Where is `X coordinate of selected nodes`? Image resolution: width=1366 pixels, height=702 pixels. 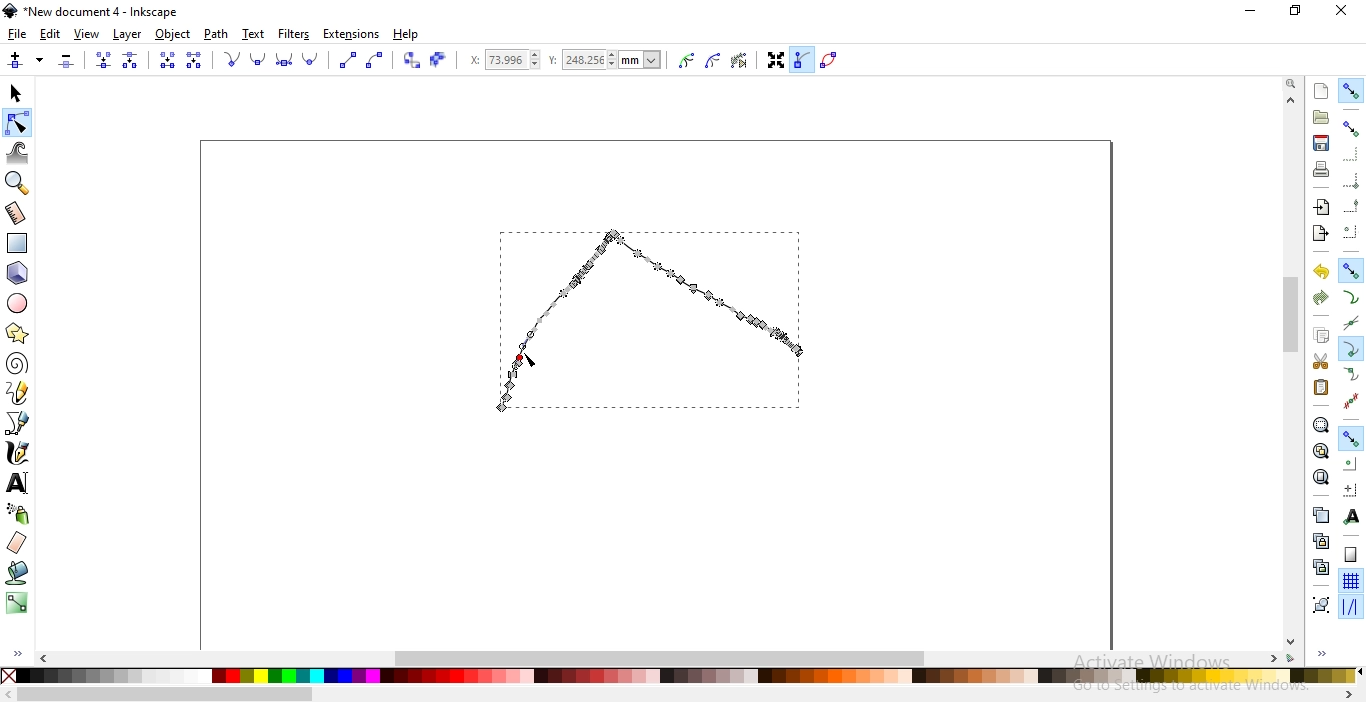
X coordinate of selected nodes is located at coordinates (503, 63).